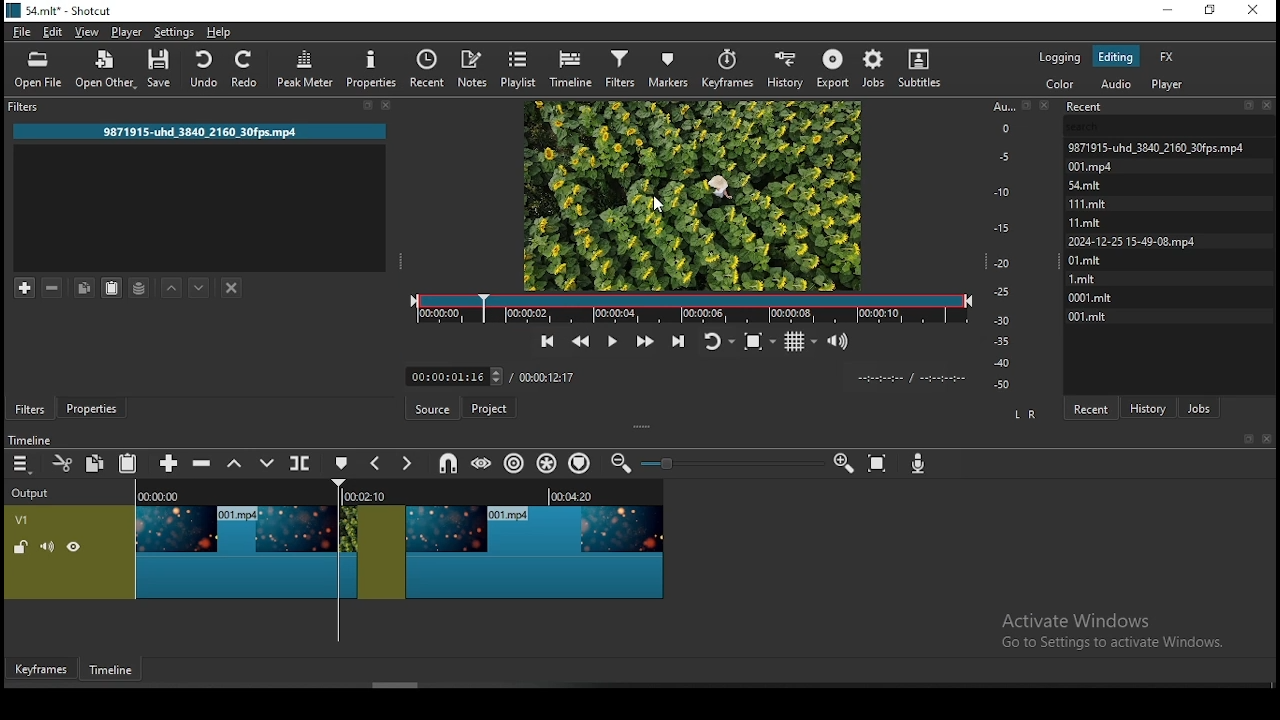 This screenshot has width=1280, height=720. What do you see at coordinates (876, 70) in the screenshot?
I see `jobs` at bounding box center [876, 70].